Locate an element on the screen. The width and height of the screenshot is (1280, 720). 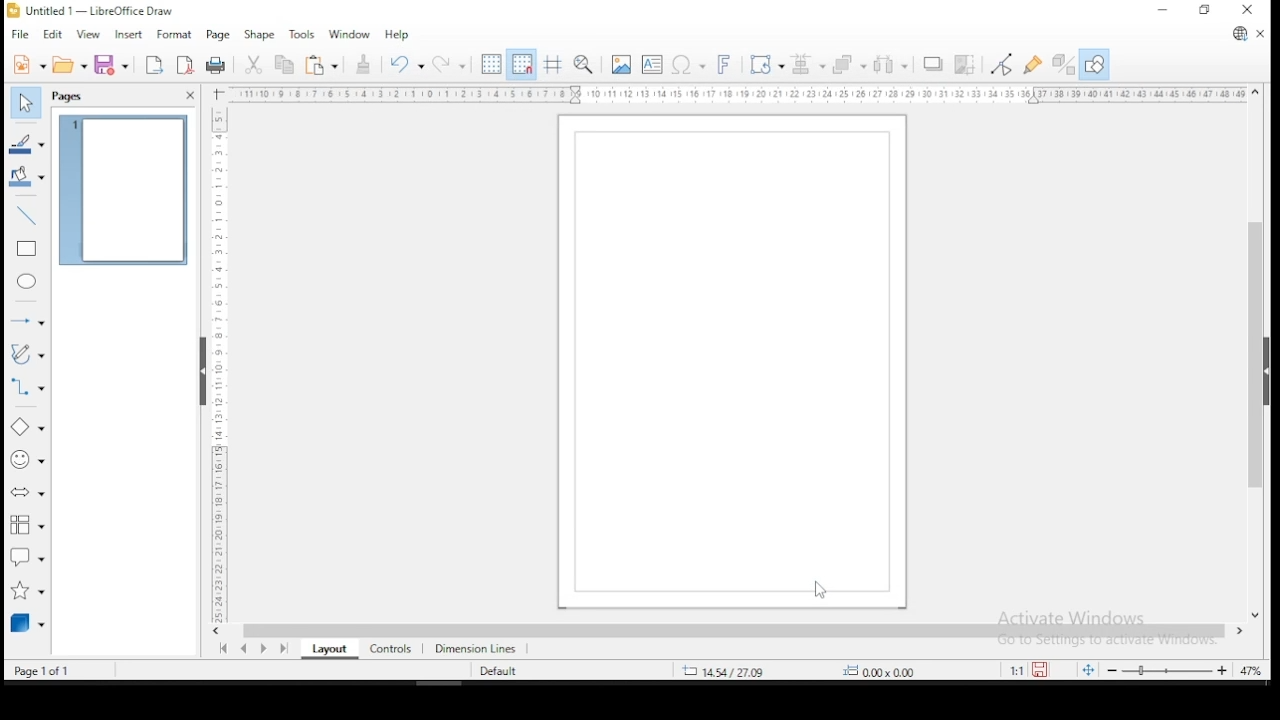
window is located at coordinates (349, 36).